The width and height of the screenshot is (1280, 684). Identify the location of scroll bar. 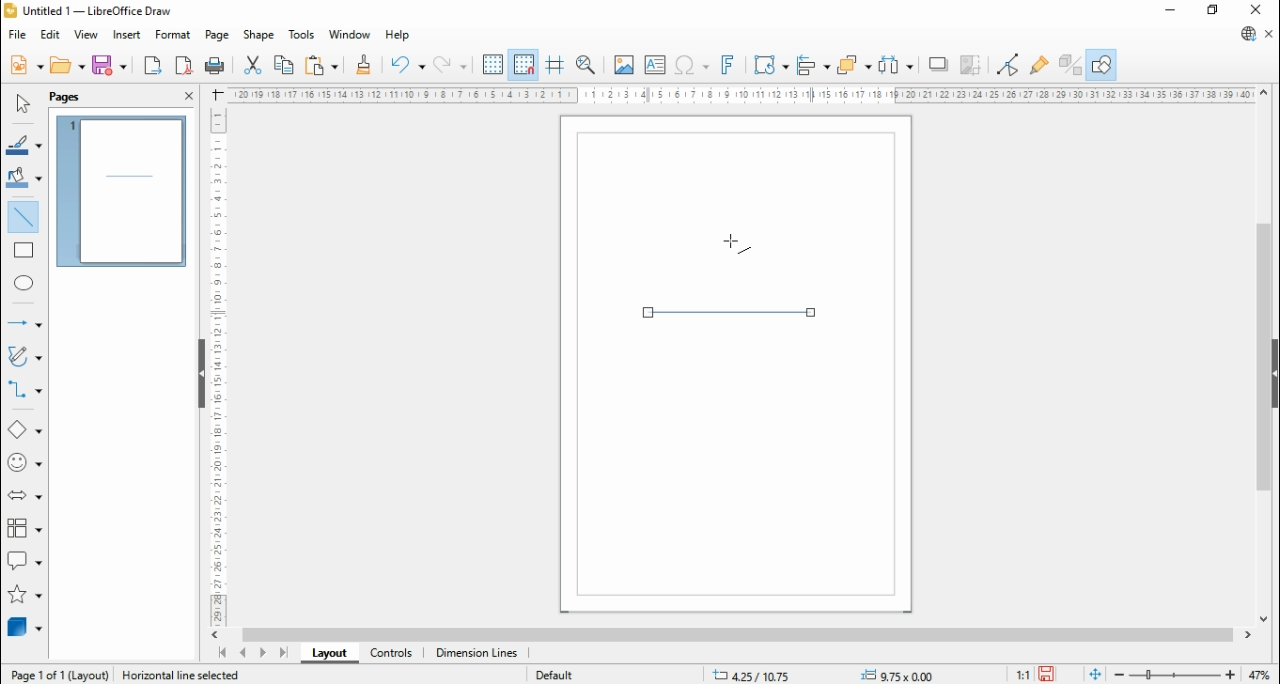
(737, 635).